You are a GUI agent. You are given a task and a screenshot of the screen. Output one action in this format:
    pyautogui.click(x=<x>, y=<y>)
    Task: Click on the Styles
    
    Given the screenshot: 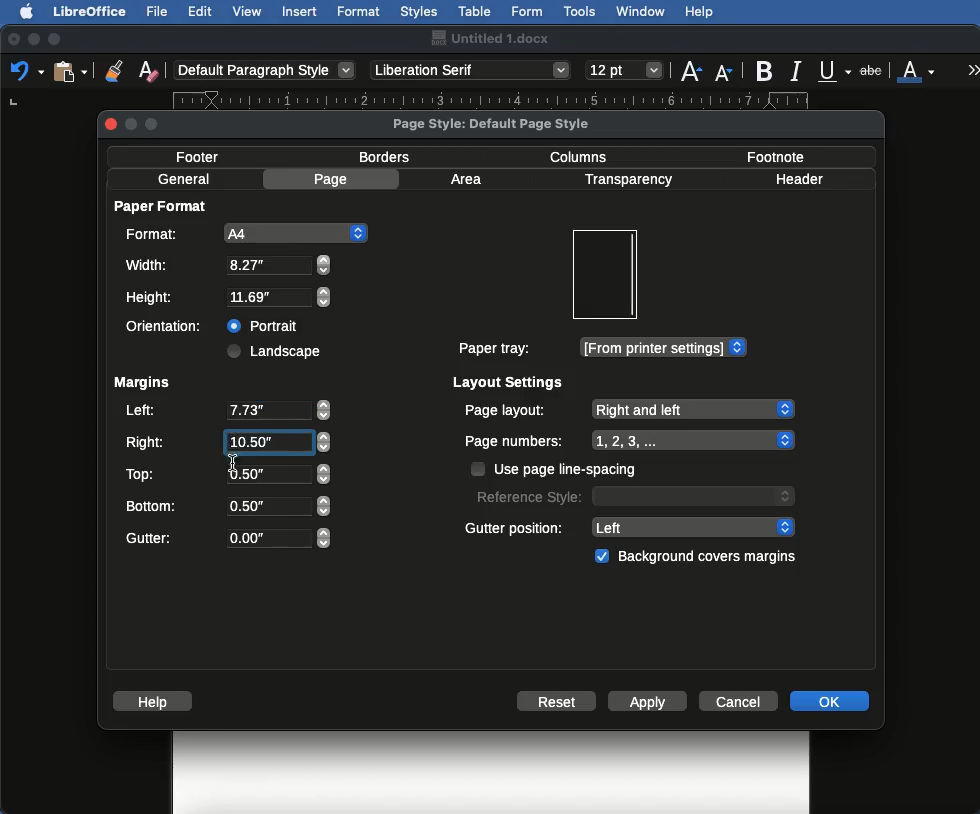 What is the action you would take?
    pyautogui.click(x=418, y=11)
    